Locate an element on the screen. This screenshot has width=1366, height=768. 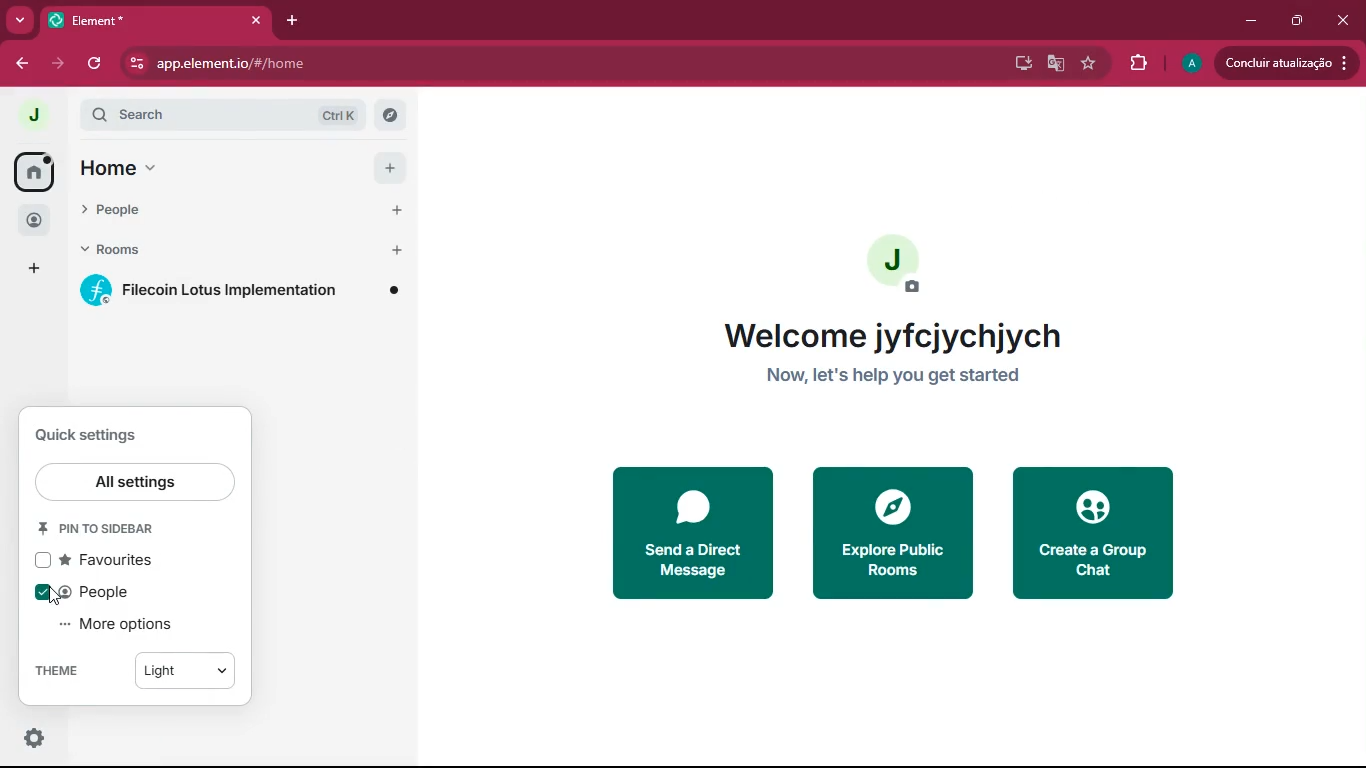
light is located at coordinates (184, 672).